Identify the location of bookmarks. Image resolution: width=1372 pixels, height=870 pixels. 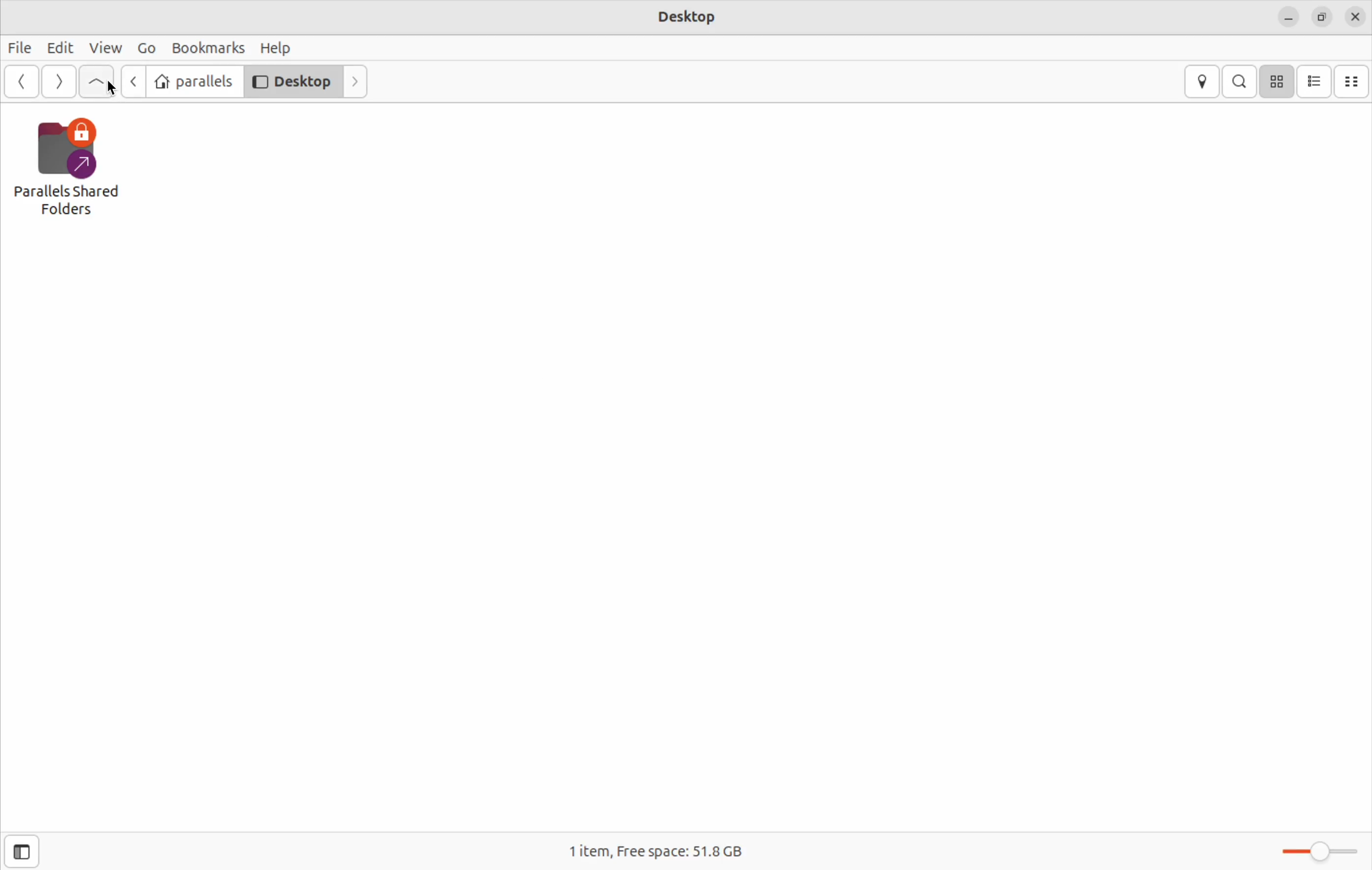
(209, 48).